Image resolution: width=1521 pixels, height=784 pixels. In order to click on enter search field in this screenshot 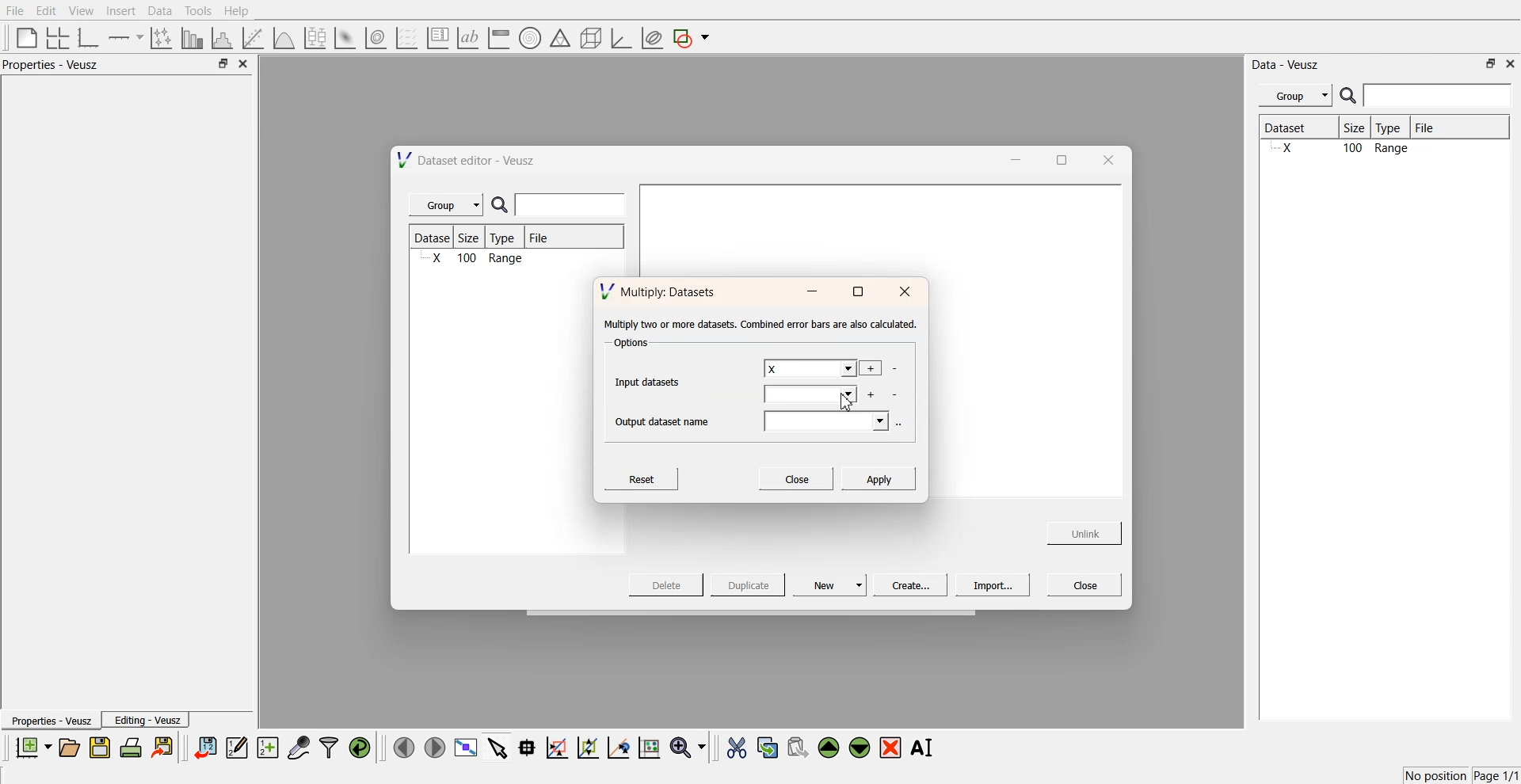, I will do `click(573, 205)`.